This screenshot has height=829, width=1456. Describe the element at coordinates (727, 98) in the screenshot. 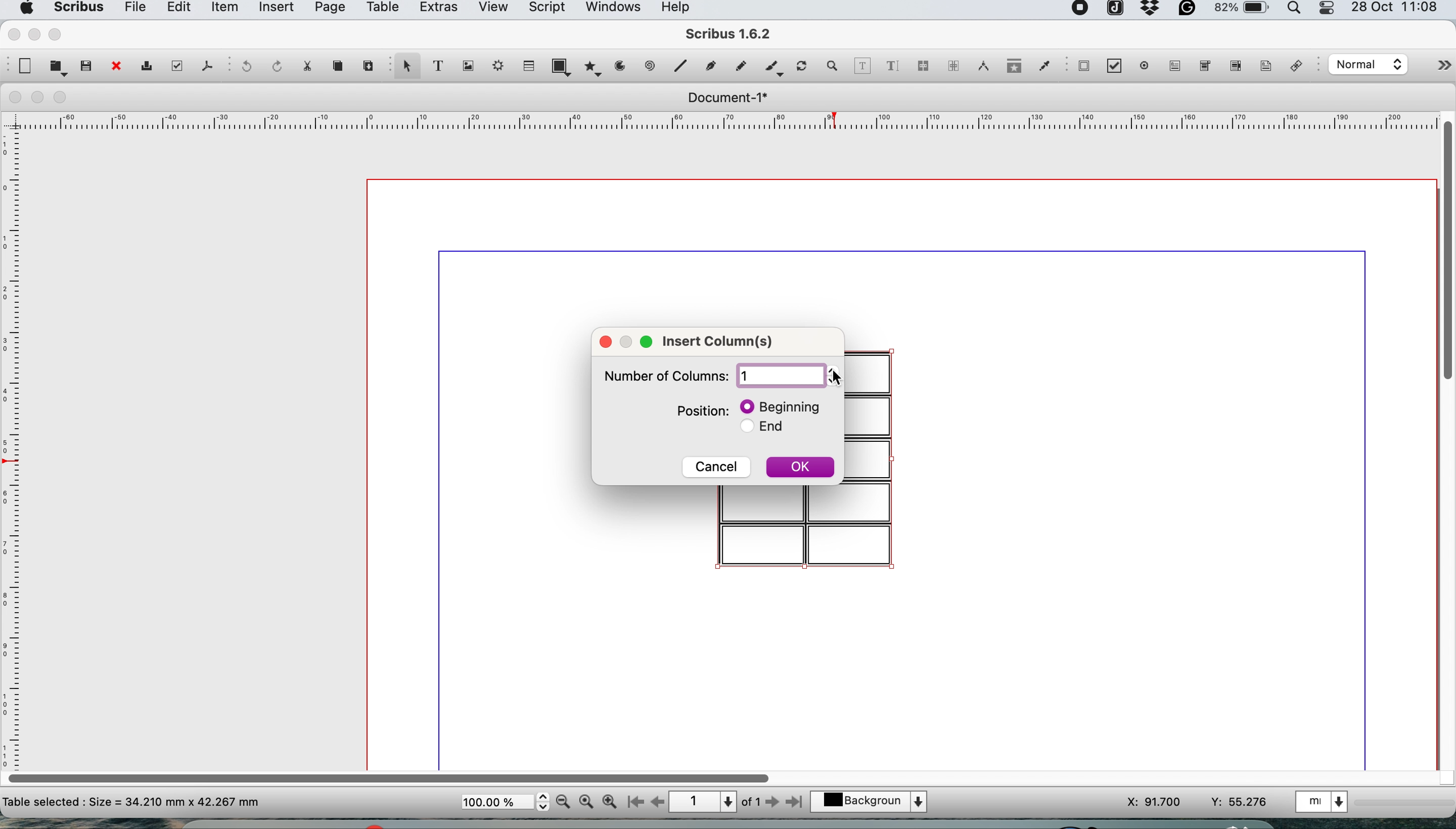

I see `document 1` at that location.